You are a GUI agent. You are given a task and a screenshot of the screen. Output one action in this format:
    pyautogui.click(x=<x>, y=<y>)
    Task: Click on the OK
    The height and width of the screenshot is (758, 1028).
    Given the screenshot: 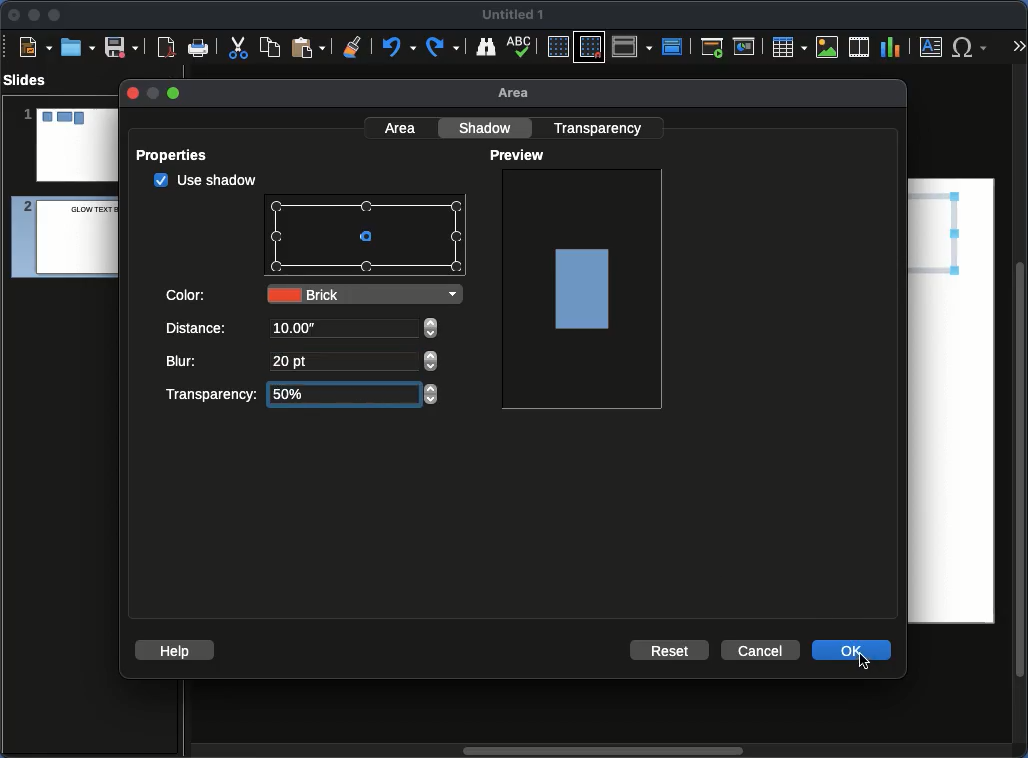 What is the action you would take?
    pyautogui.click(x=853, y=649)
    